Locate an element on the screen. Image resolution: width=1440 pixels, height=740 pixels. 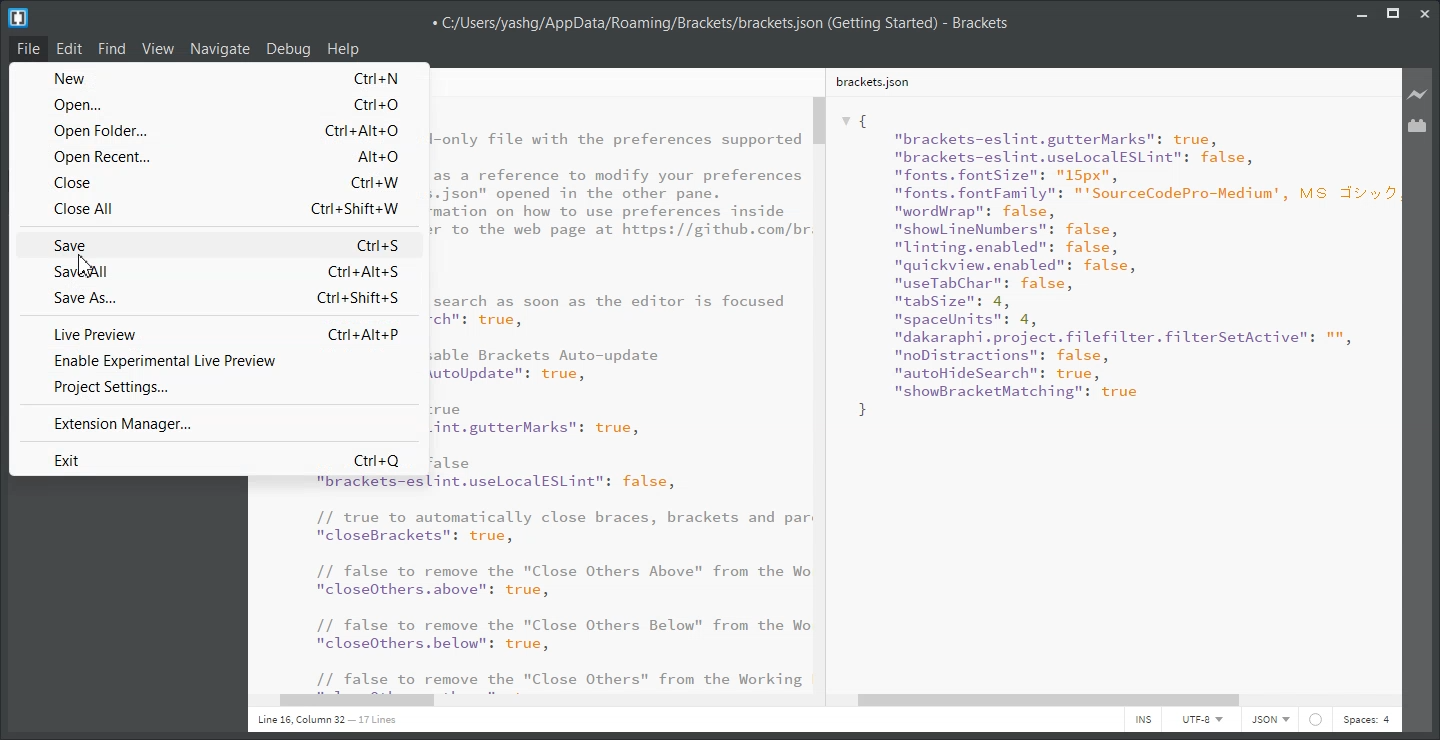
Minimize is located at coordinates (1362, 11).